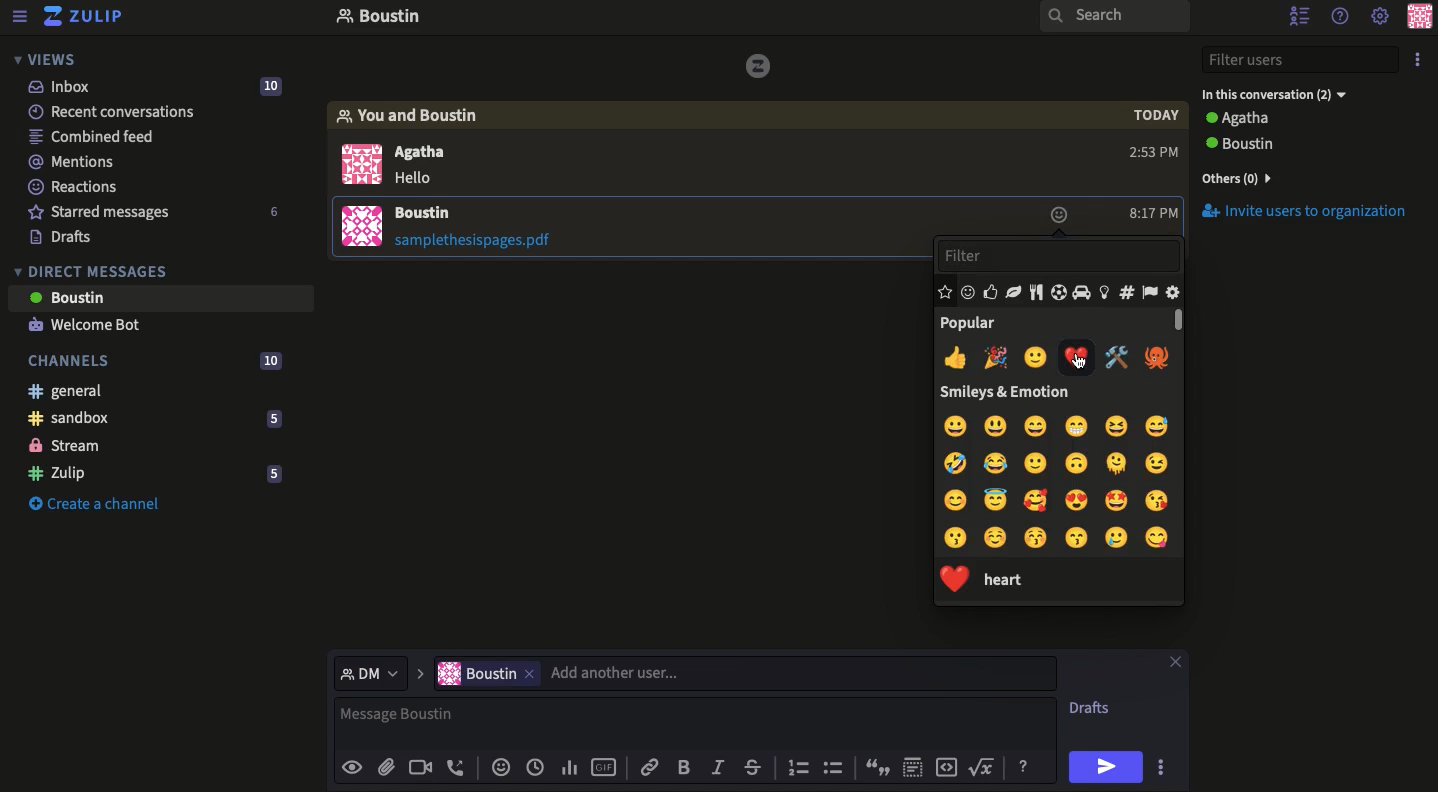 The height and width of the screenshot is (792, 1438). What do you see at coordinates (999, 465) in the screenshot?
I see `joy` at bounding box center [999, 465].